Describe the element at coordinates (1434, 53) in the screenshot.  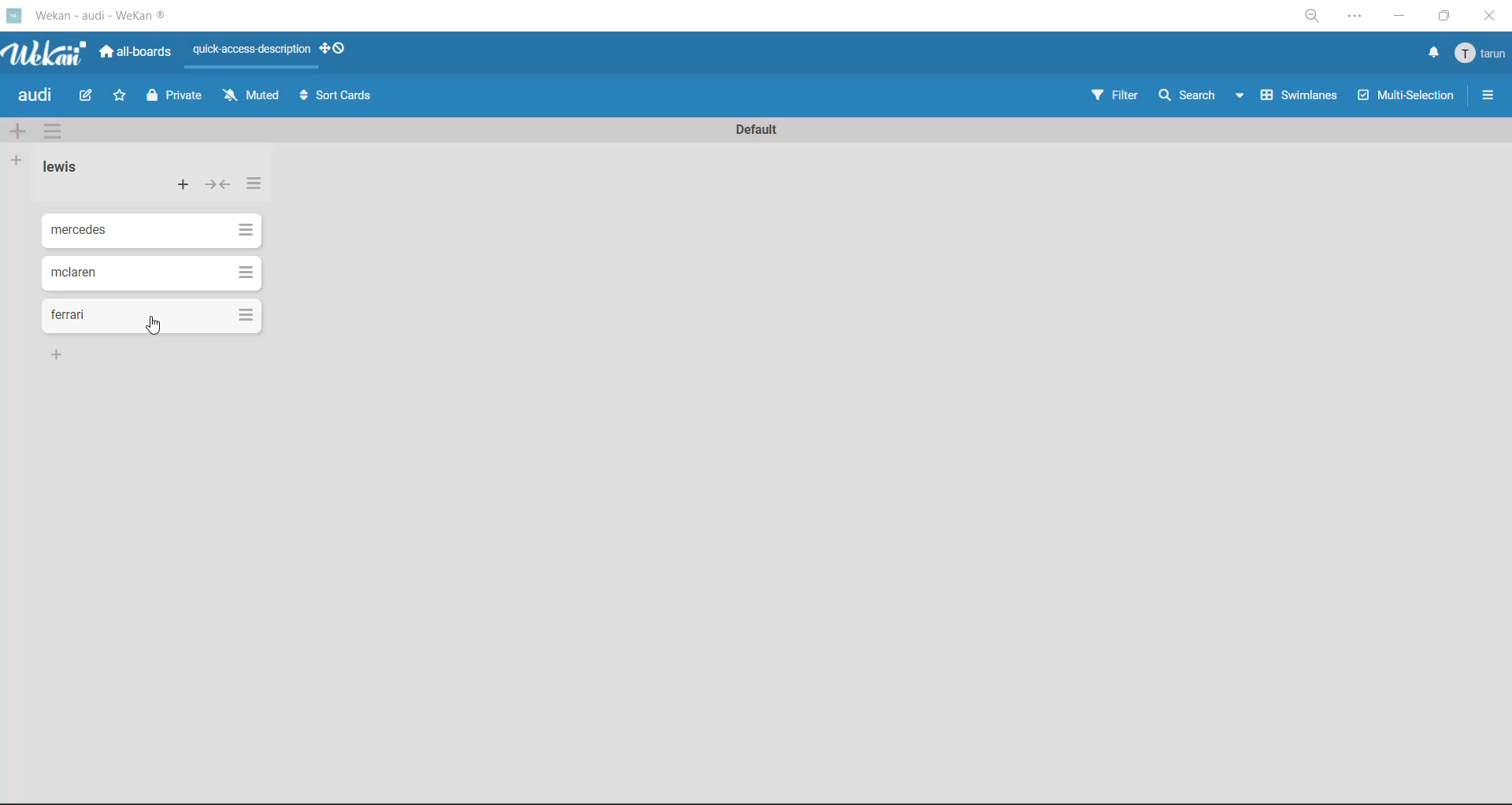
I see `notifications` at that location.